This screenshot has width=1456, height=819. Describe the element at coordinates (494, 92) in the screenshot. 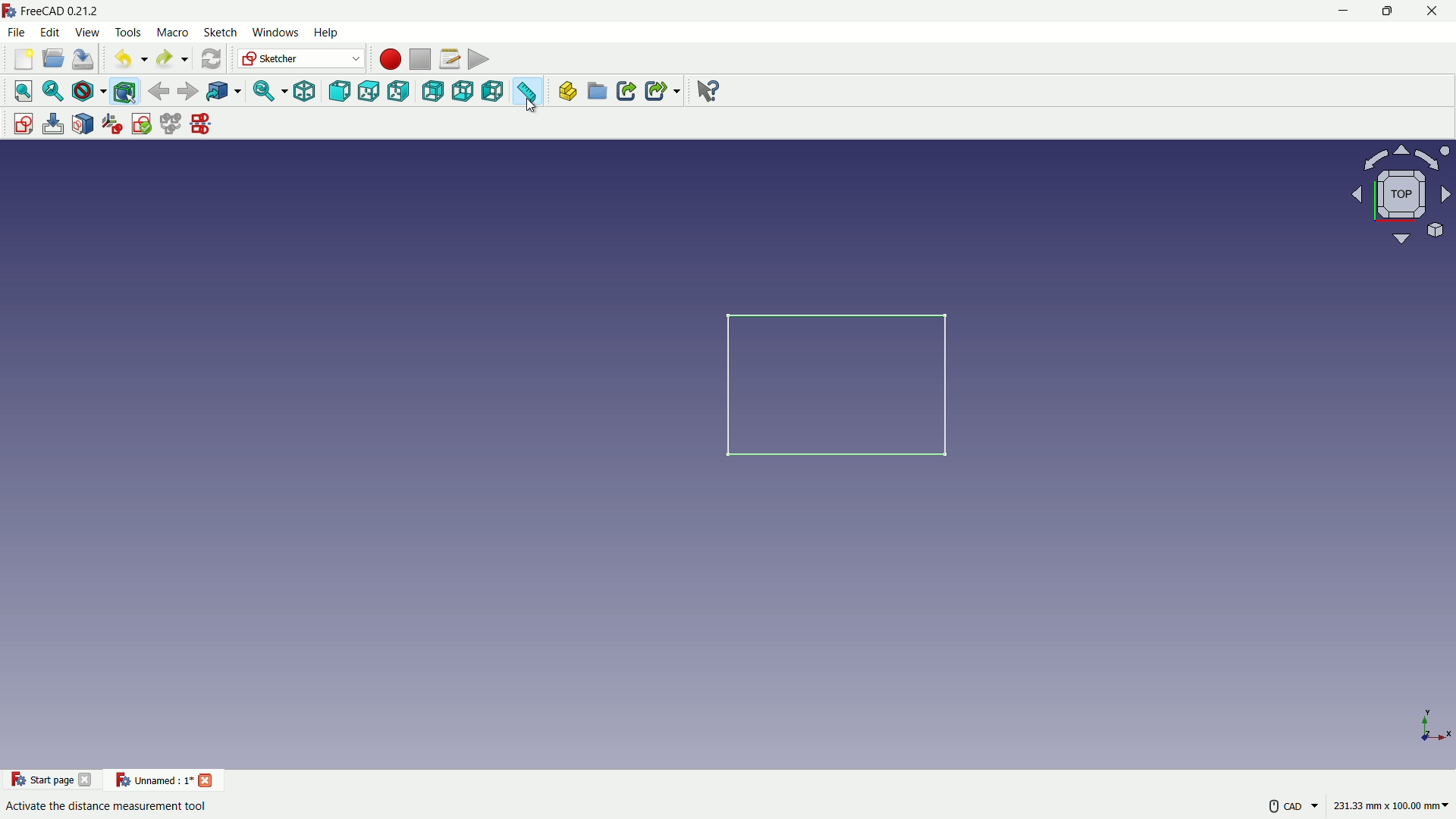

I see `left view` at that location.